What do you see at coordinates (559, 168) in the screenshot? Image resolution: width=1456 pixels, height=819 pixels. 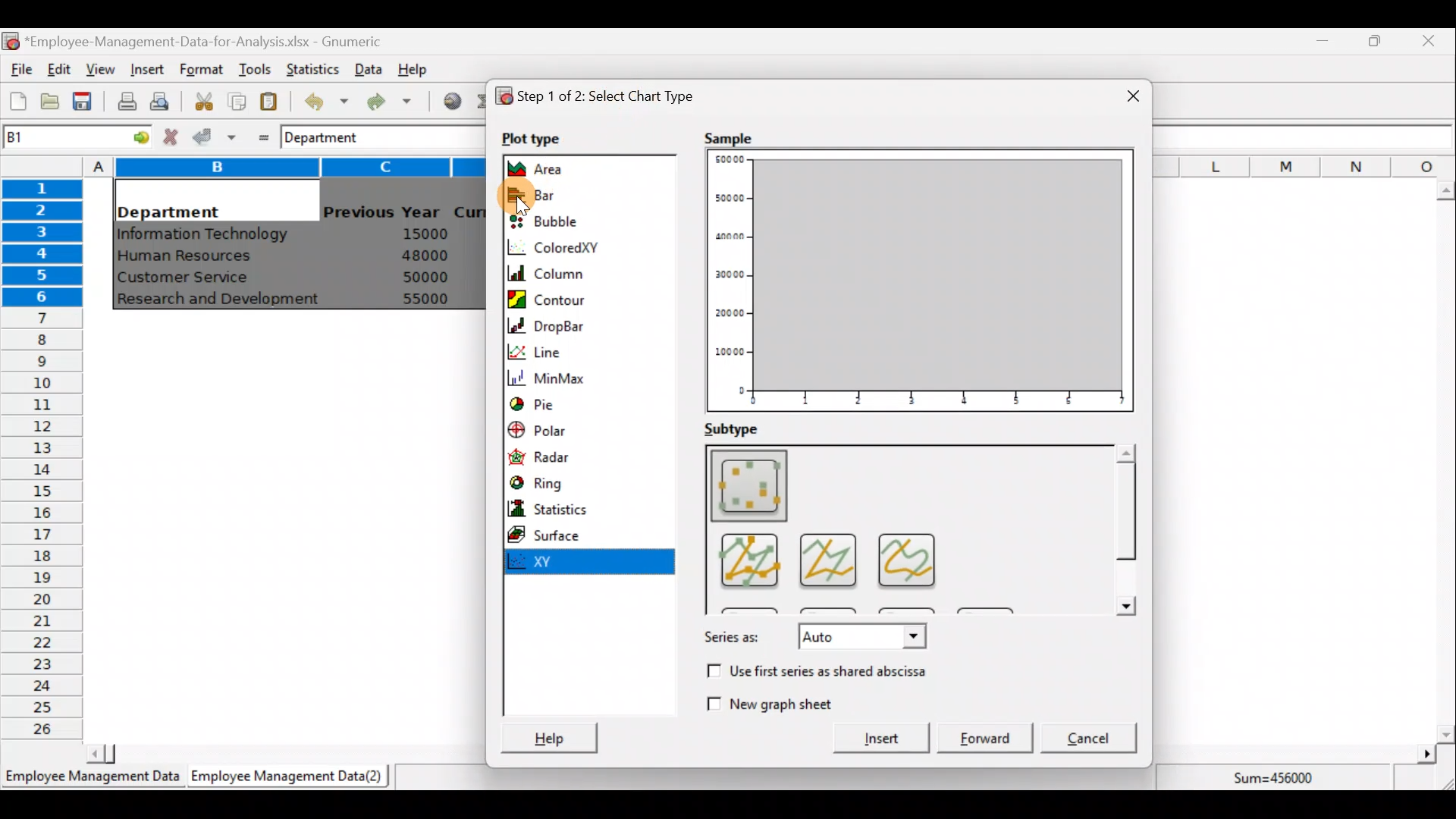 I see `Area` at bounding box center [559, 168].